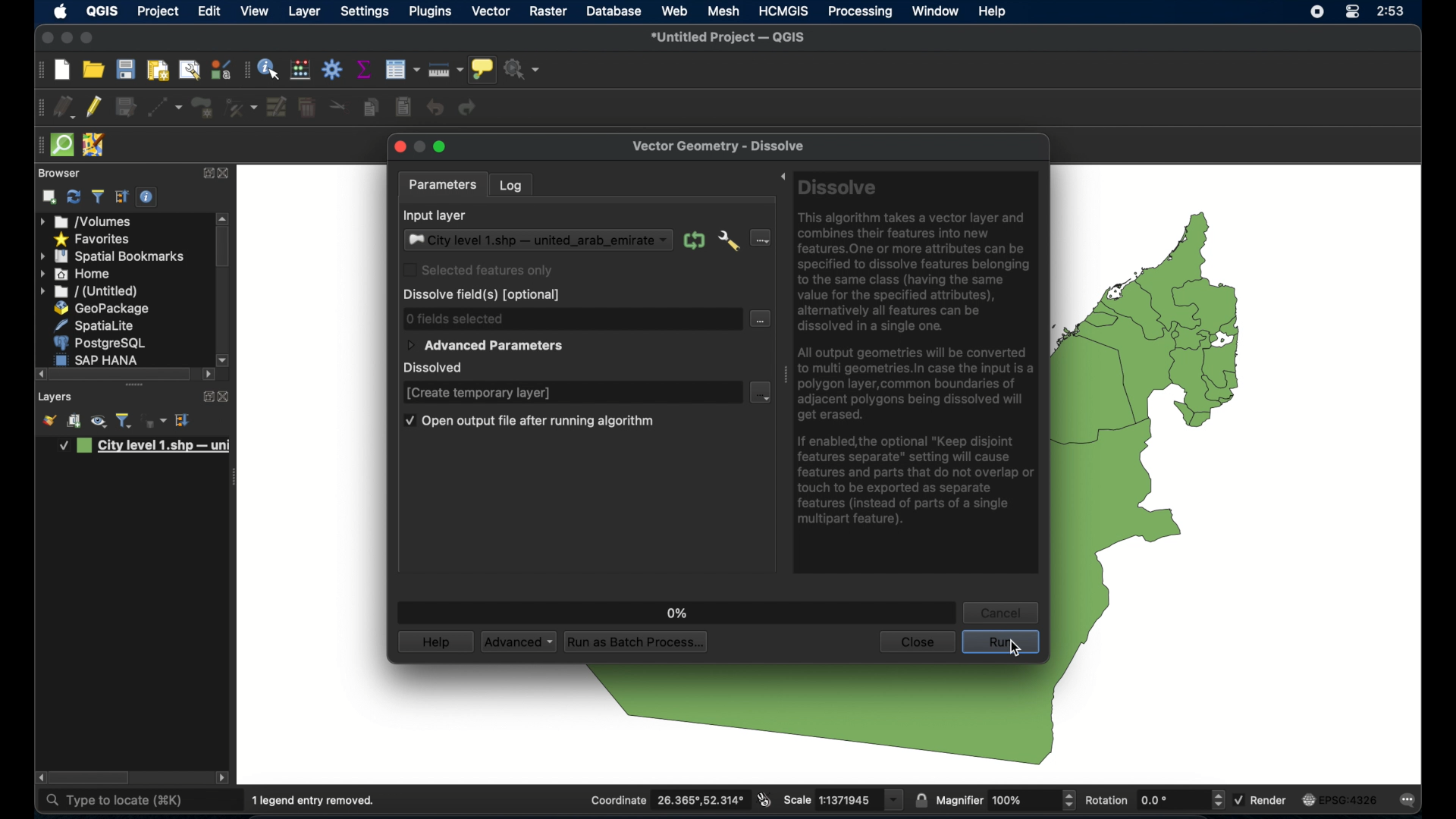 The height and width of the screenshot is (819, 1456). Describe the element at coordinates (1411, 801) in the screenshot. I see `messages` at that location.